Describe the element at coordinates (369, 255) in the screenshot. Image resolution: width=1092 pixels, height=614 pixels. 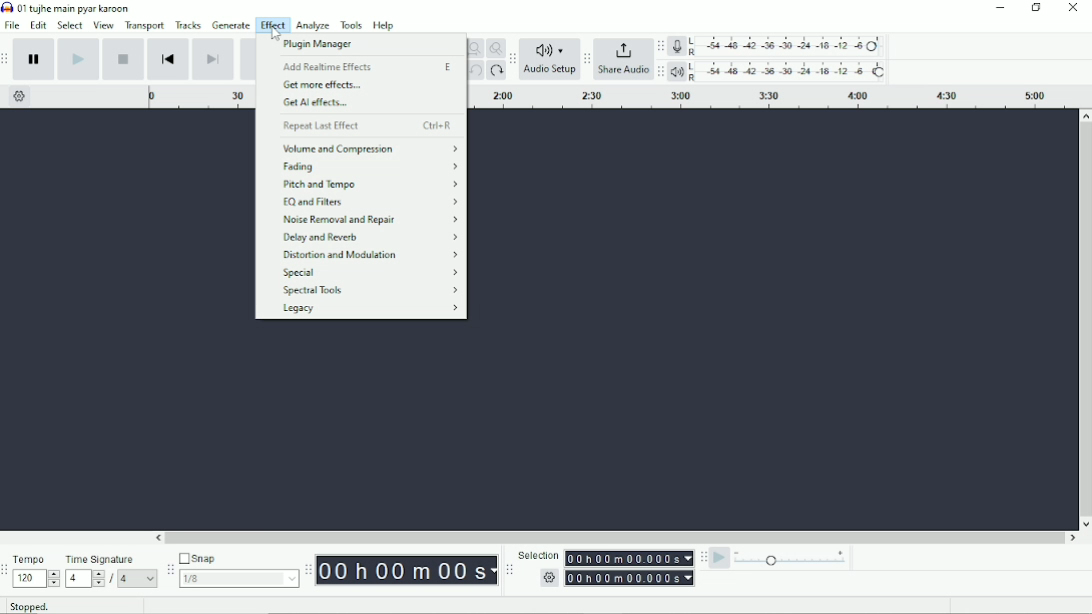
I see `Distortion and Modulation` at that location.